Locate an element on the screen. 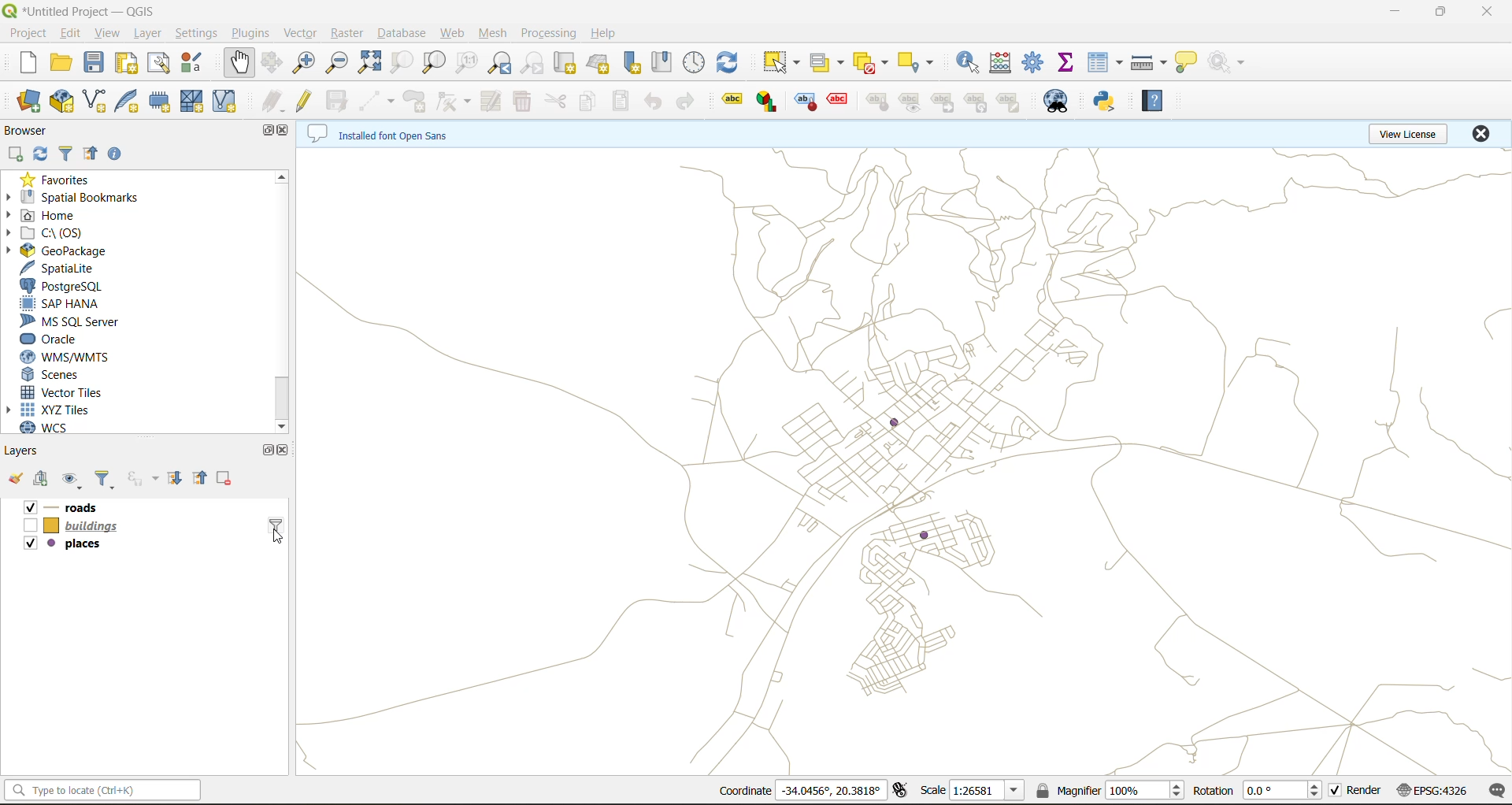 Image resolution: width=1512 pixels, height=805 pixels. scenes is located at coordinates (59, 375).